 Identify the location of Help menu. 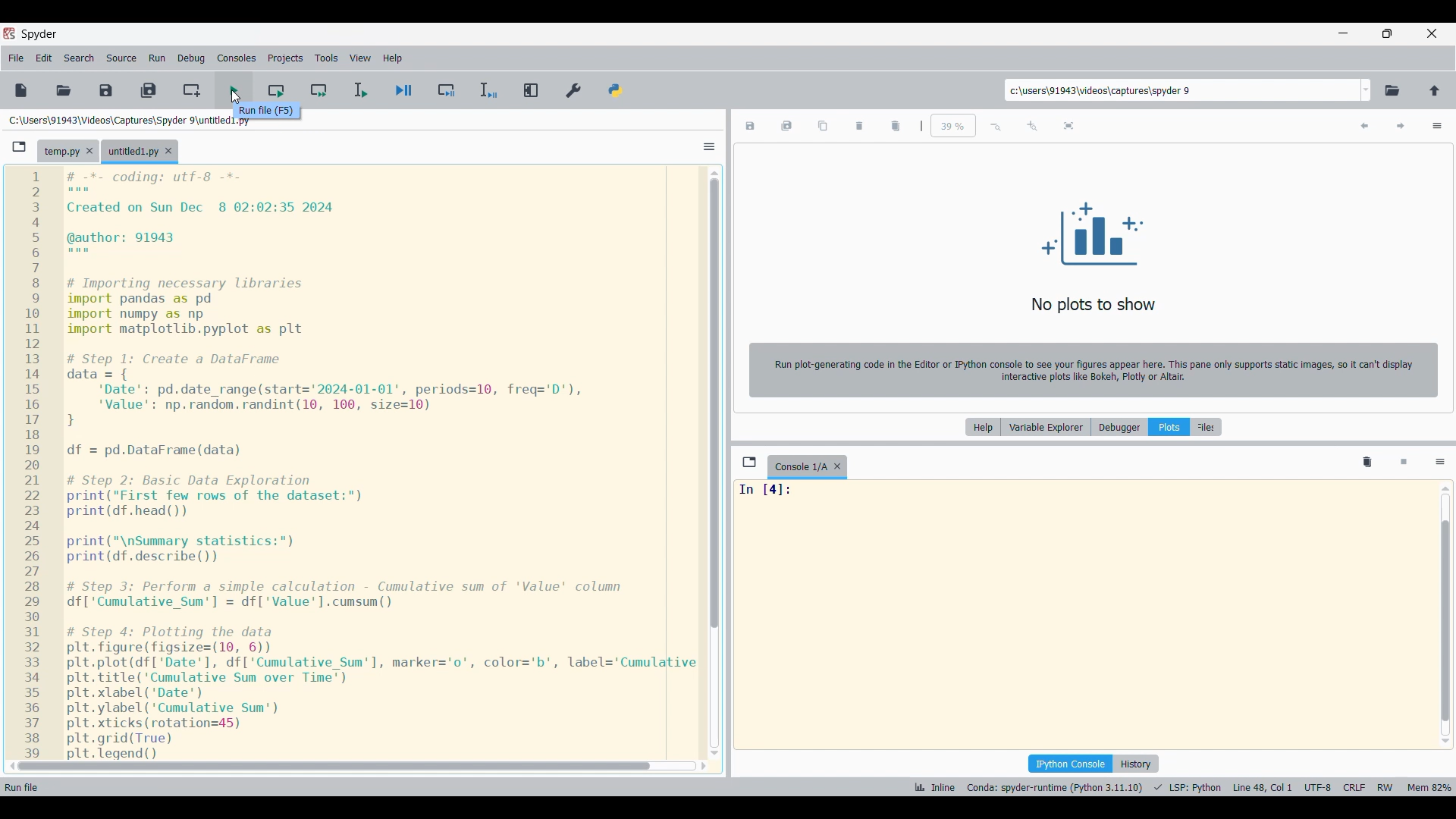
(393, 58).